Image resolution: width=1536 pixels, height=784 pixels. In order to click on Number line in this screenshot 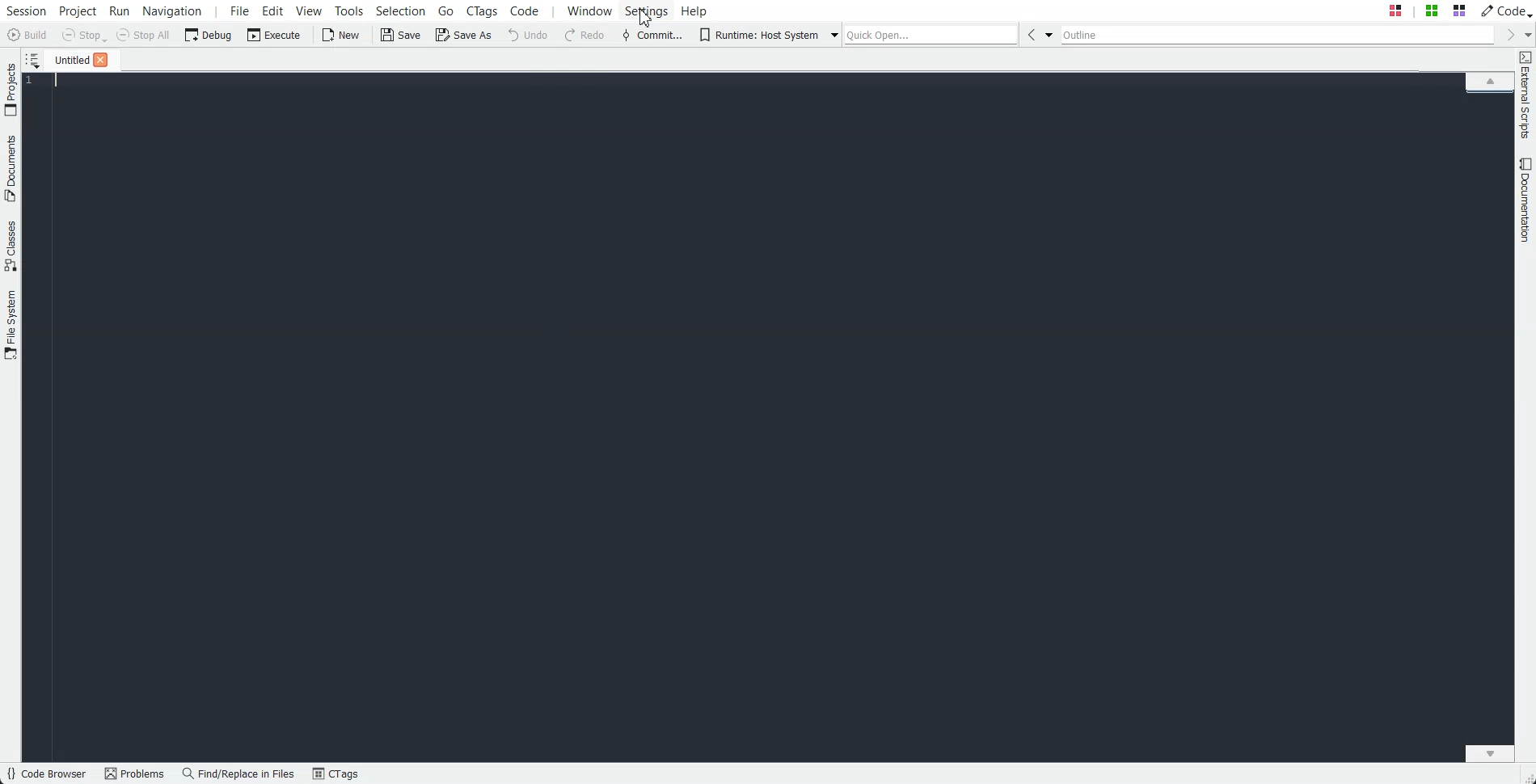, I will do `click(34, 81)`.